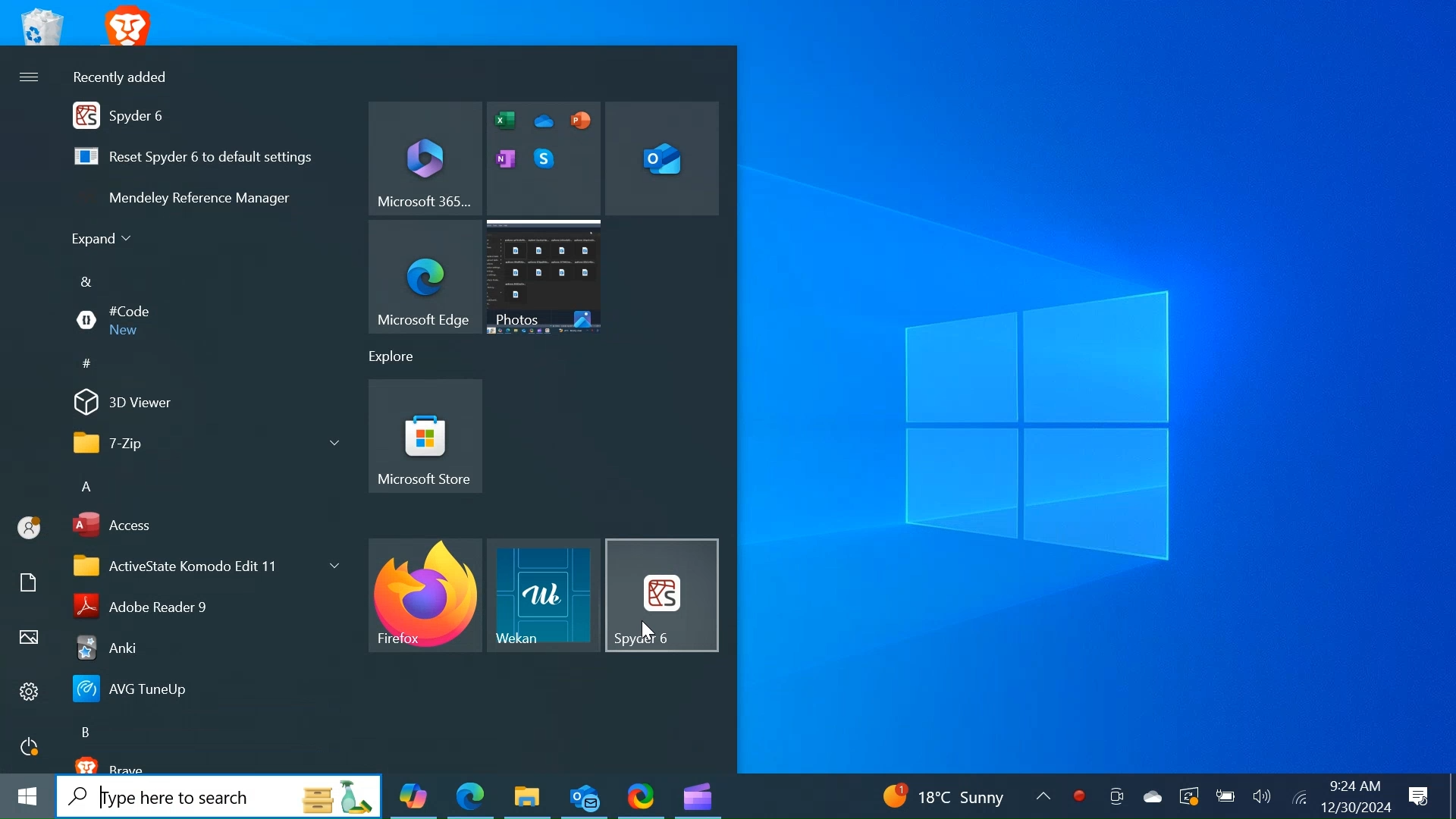 This screenshot has width=1456, height=819. What do you see at coordinates (1153, 794) in the screenshot?
I see `OneDrive` at bounding box center [1153, 794].